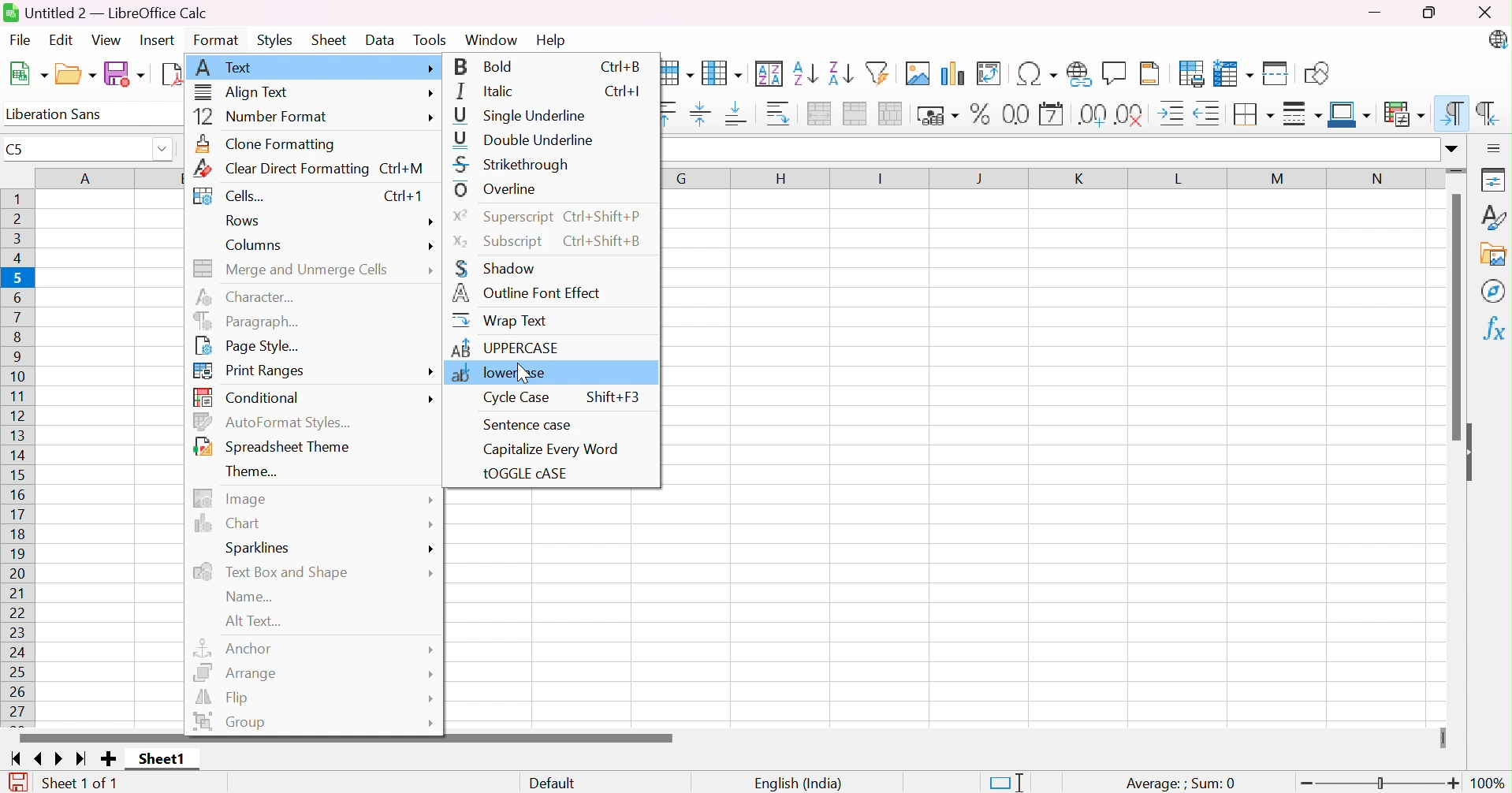 This screenshot has height=793, width=1512. I want to click on Clear Direct Formatting, so click(282, 168).